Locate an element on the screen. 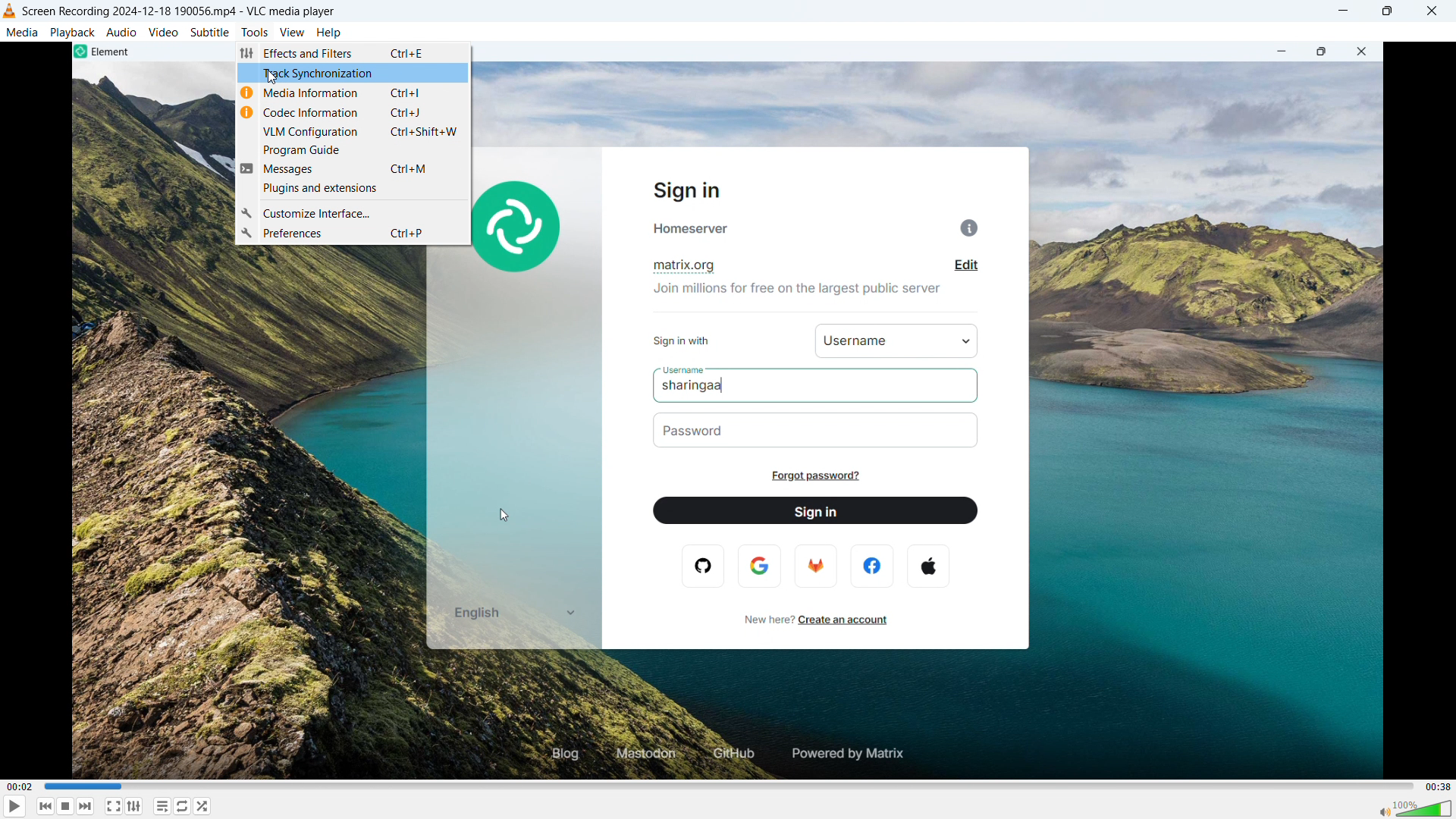 This screenshot has height=819, width=1456. playback is located at coordinates (73, 33).